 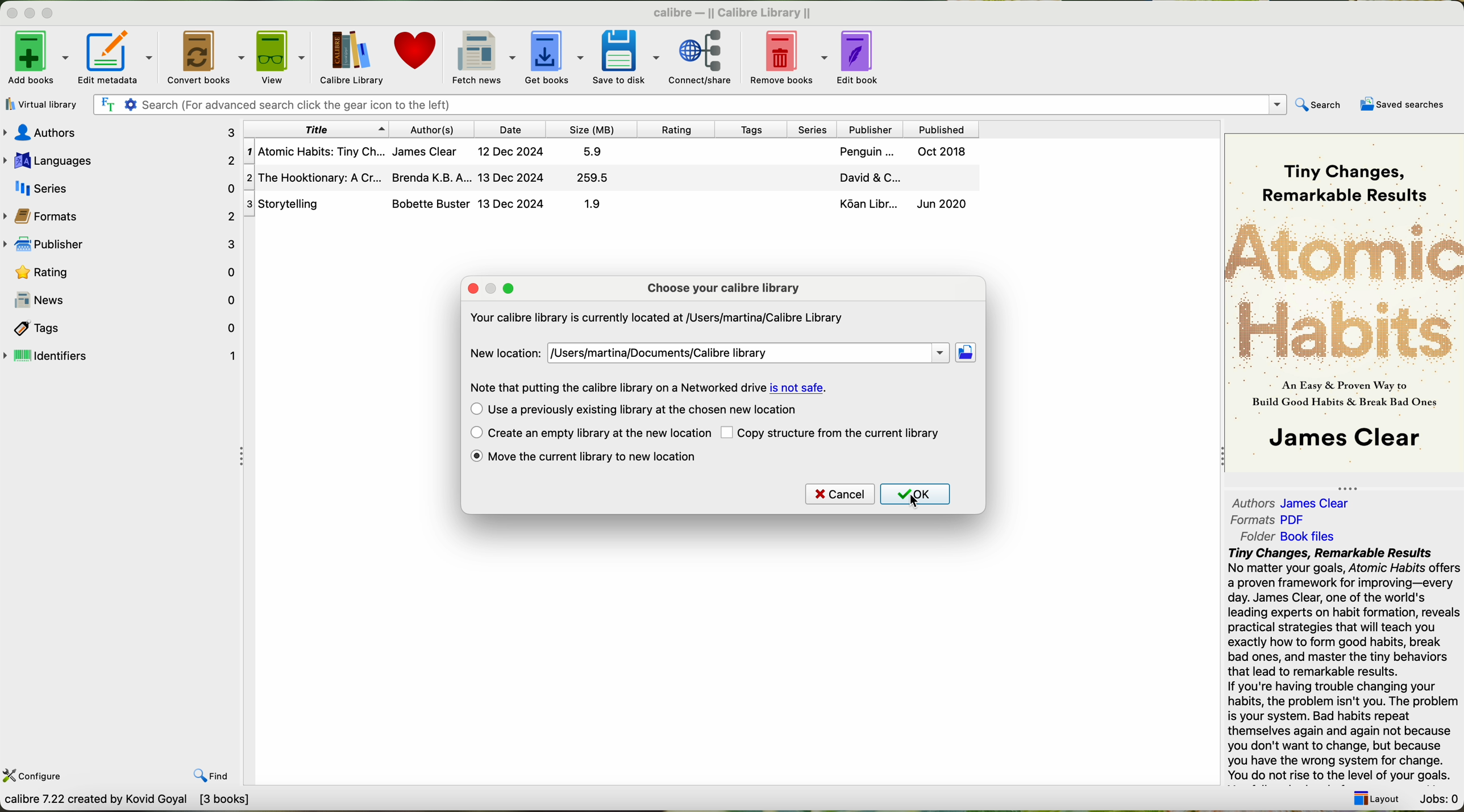 What do you see at coordinates (121, 356) in the screenshot?
I see `identifiers` at bounding box center [121, 356].